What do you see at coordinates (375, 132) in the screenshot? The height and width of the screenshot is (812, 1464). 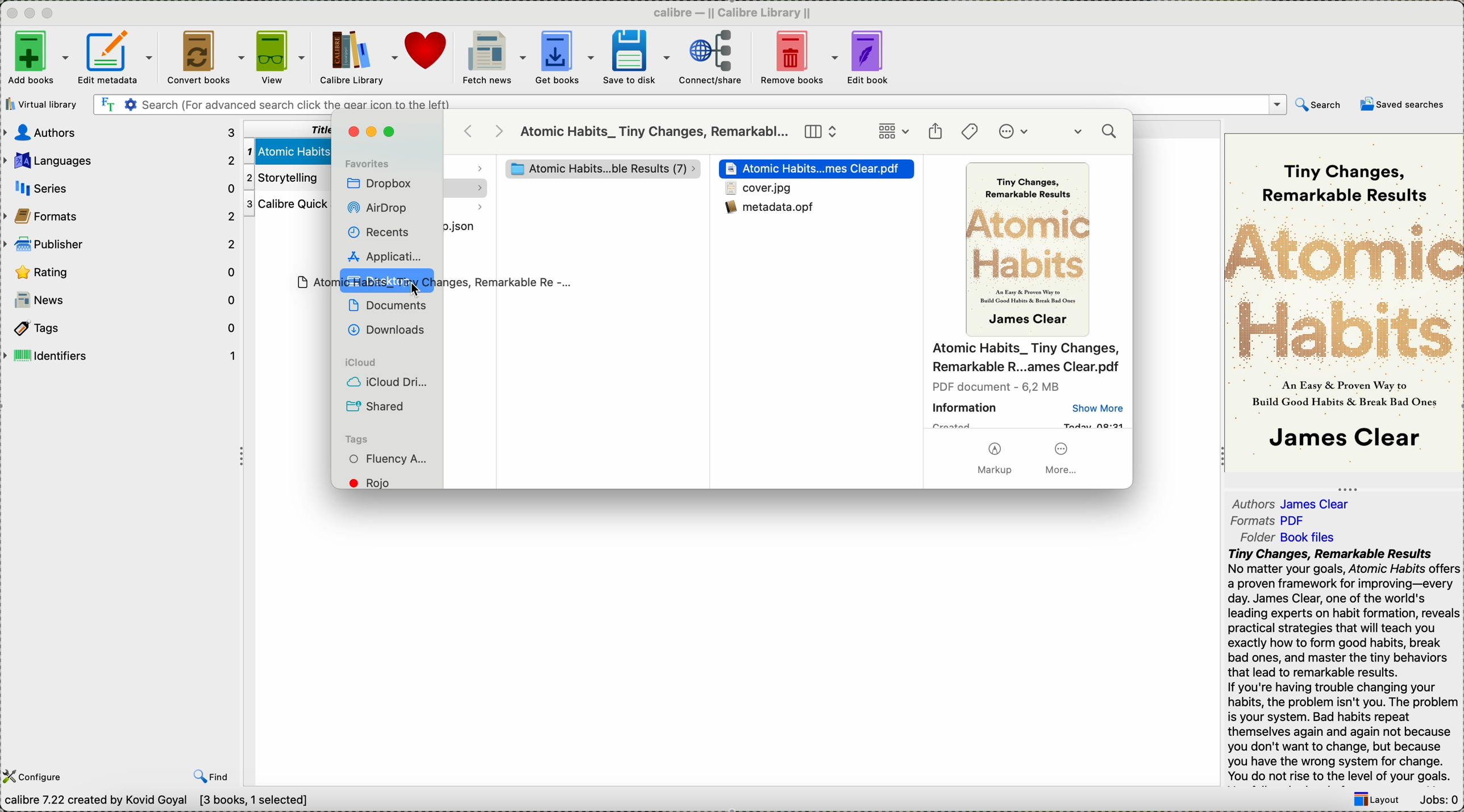 I see `minimize window` at bounding box center [375, 132].